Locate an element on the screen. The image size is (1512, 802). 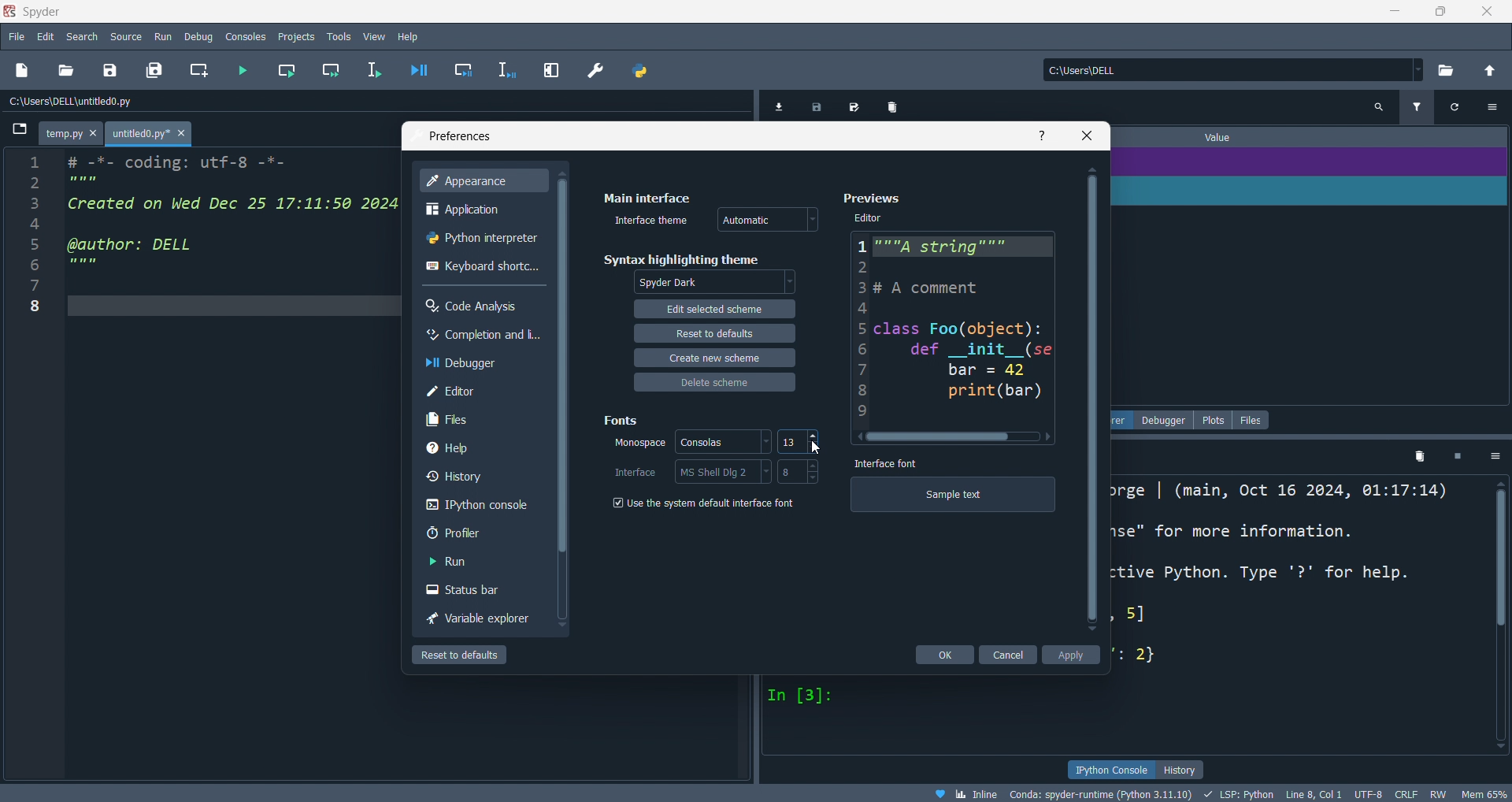
scrollbar is located at coordinates (1498, 619).